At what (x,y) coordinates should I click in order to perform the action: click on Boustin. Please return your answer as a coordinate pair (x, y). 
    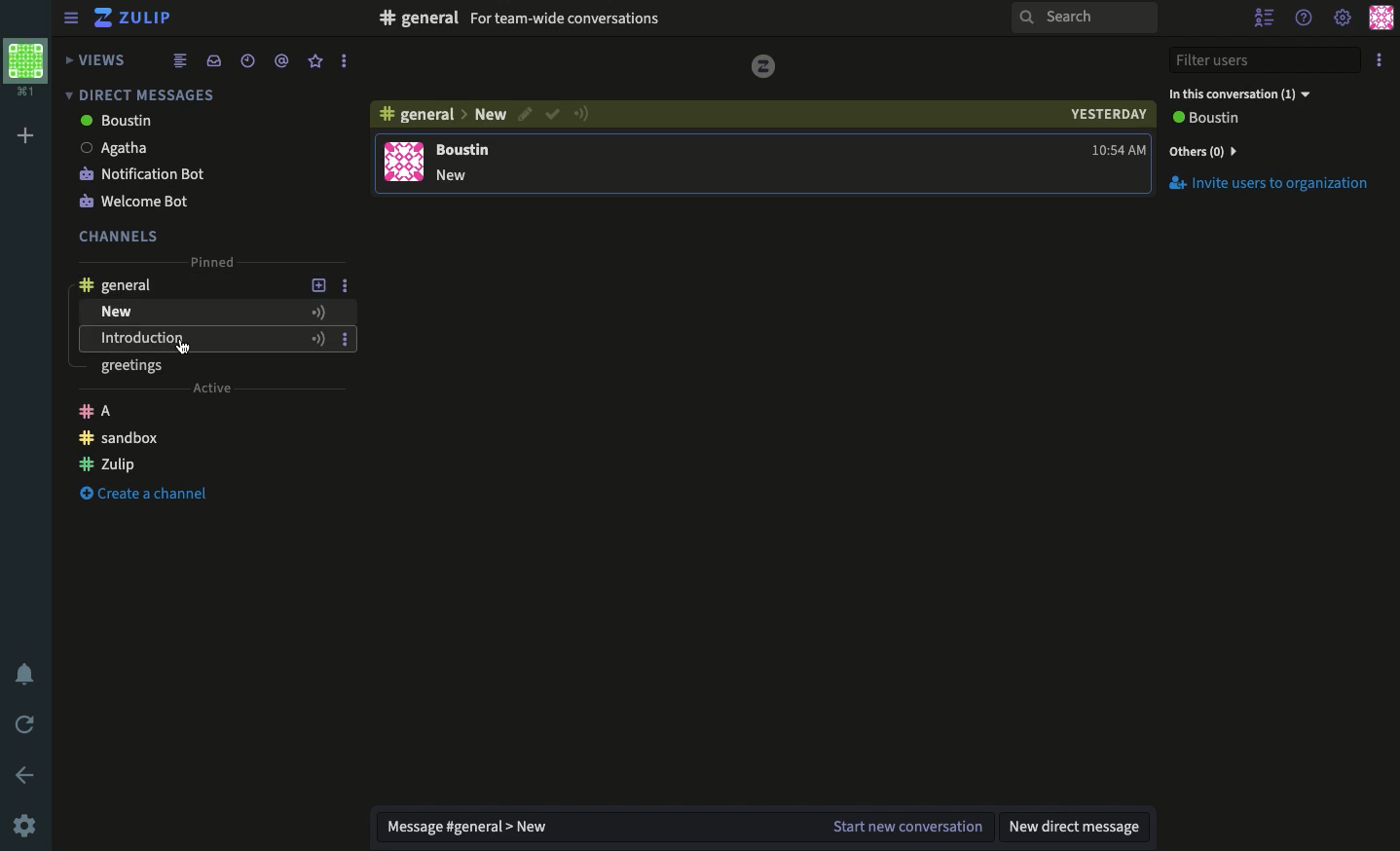
    Looking at the image, I should click on (464, 149).